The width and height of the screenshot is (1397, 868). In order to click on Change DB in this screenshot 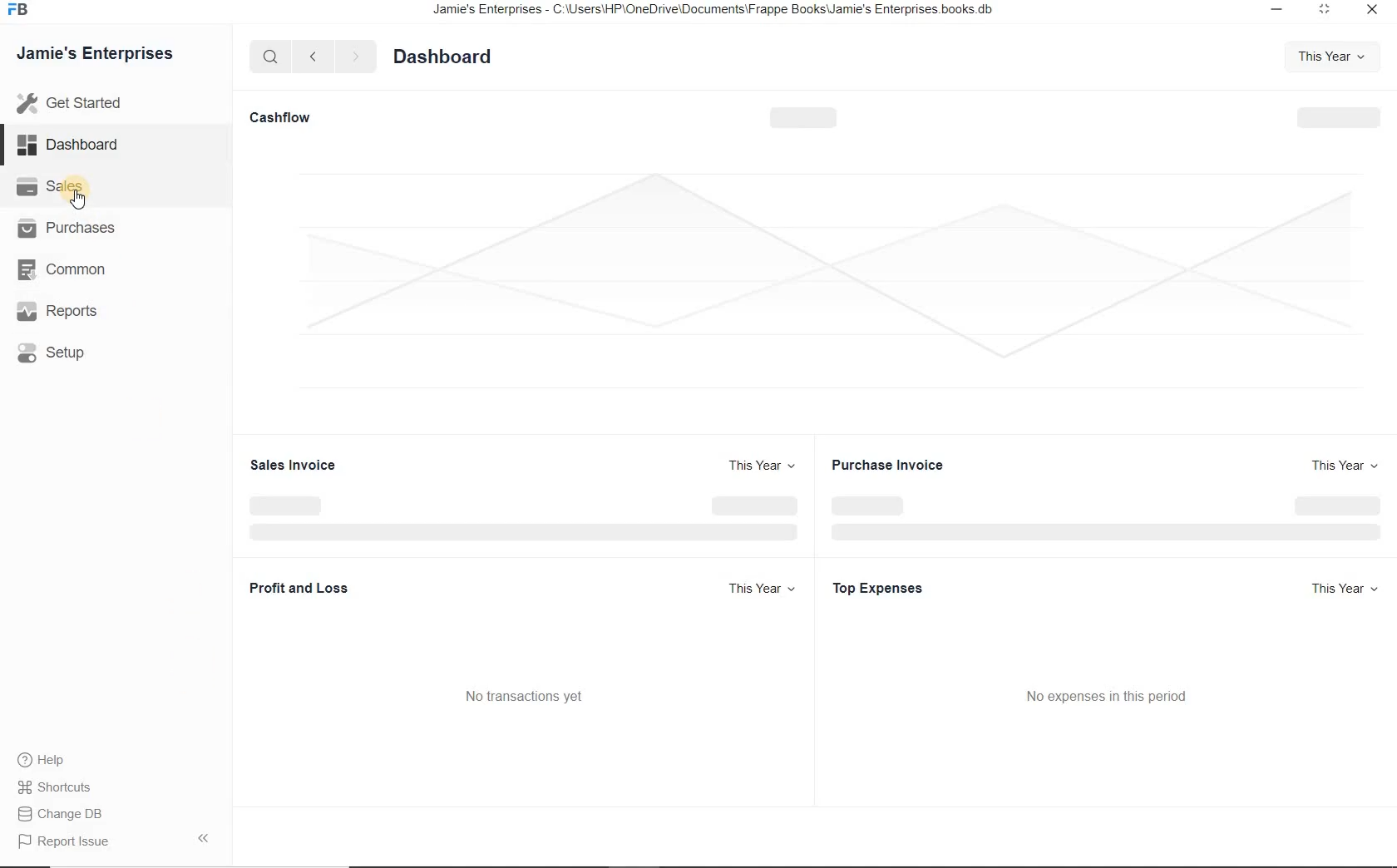, I will do `click(62, 813)`.